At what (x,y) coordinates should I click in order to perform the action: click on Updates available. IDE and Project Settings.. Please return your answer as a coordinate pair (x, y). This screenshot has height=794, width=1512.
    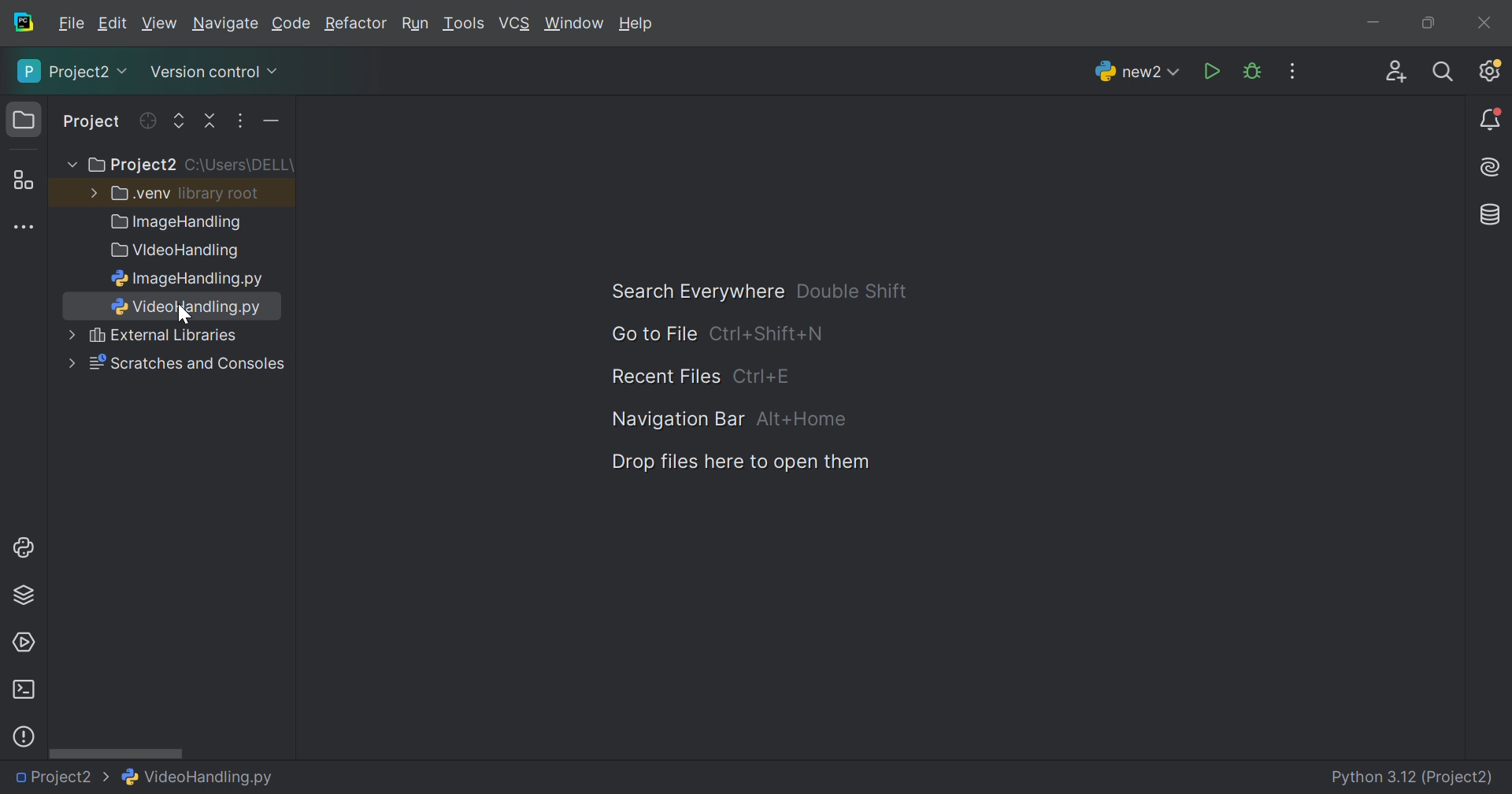
    Looking at the image, I should click on (1489, 70).